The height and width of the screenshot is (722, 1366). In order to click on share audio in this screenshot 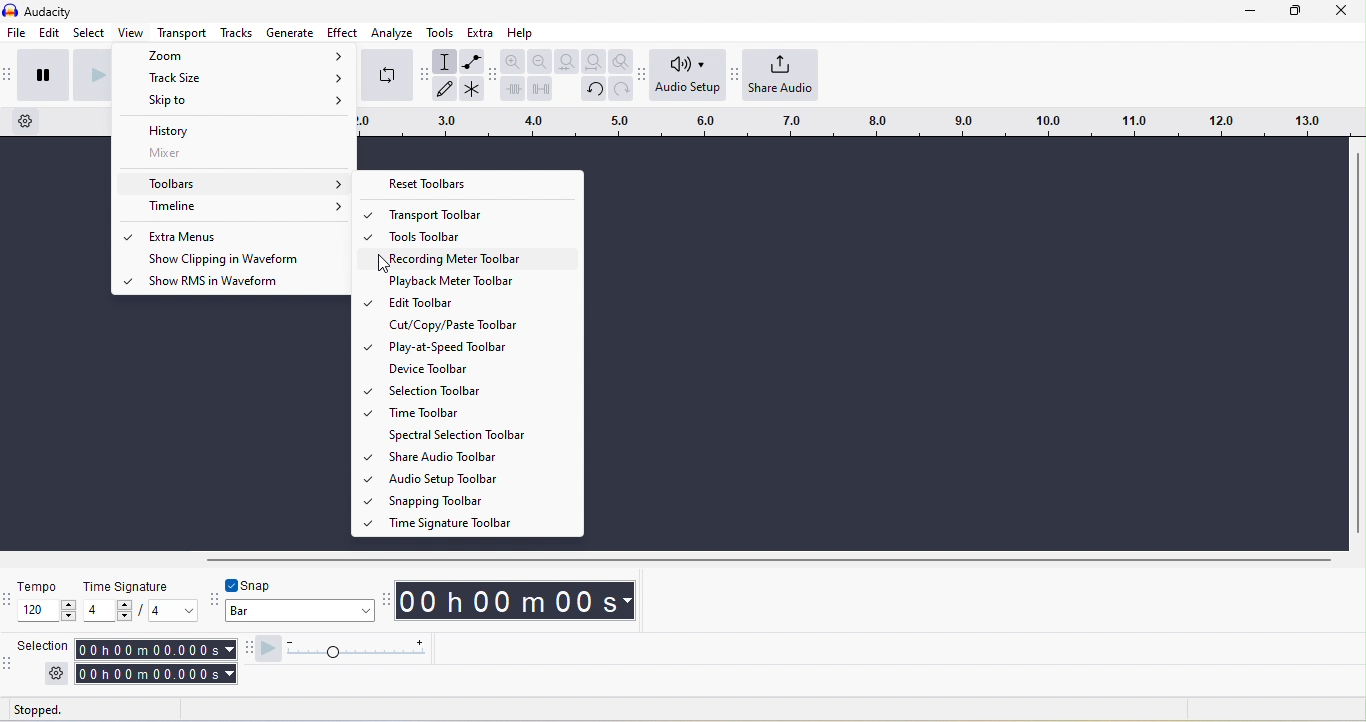, I will do `click(781, 74)`.